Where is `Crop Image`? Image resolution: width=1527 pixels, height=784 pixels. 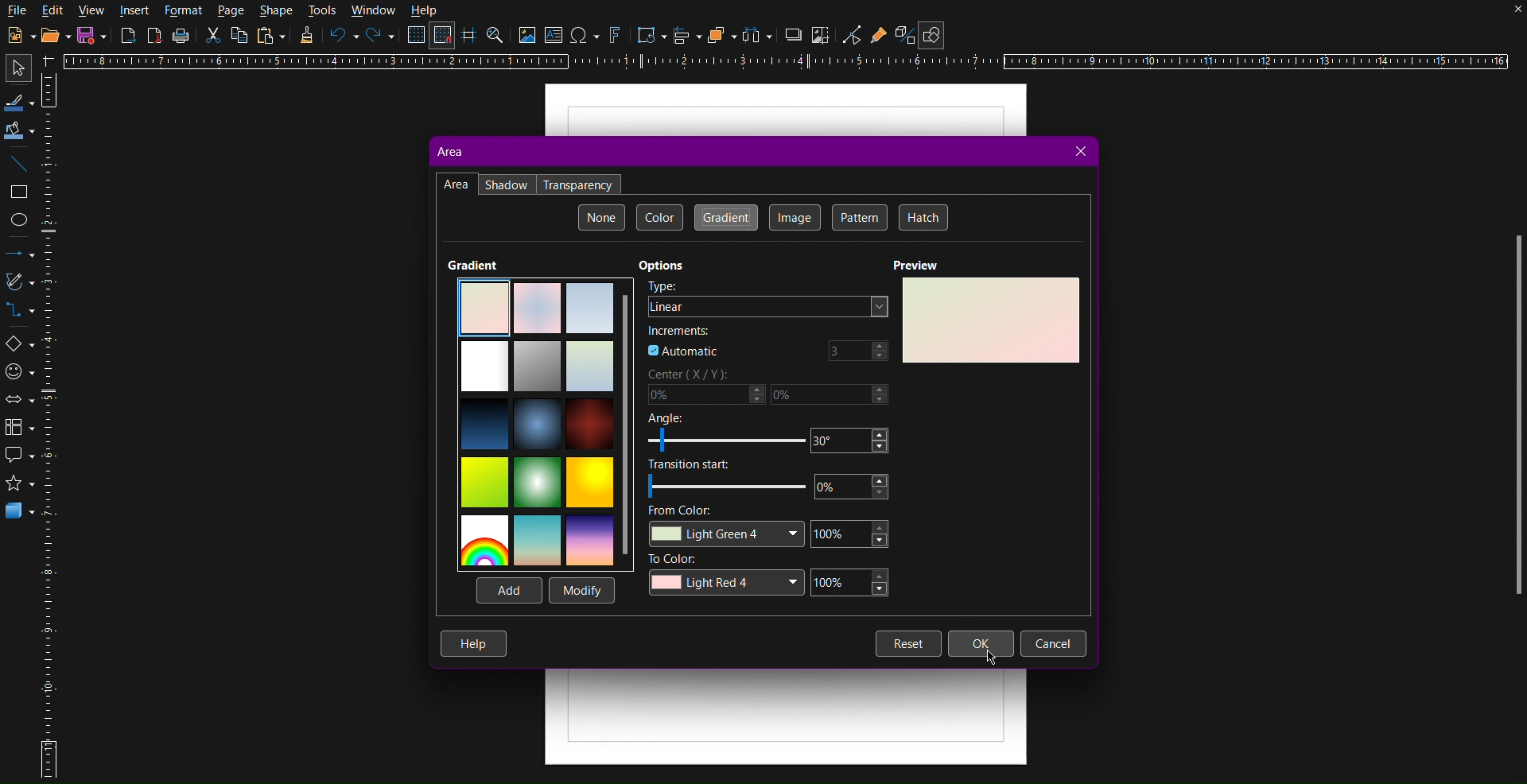
Crop Image is located at coordinates (822, 37).